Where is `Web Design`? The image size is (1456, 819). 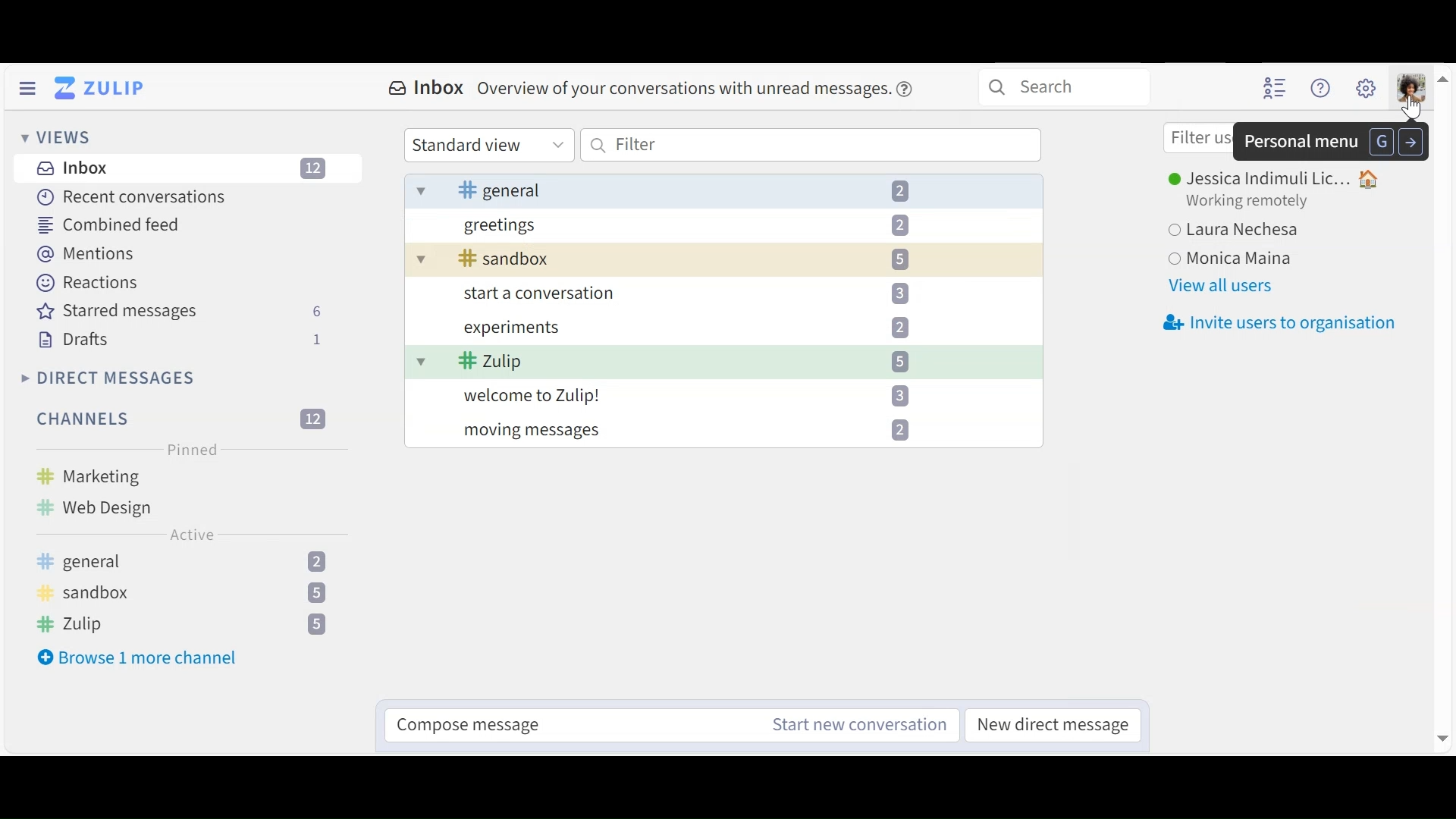 Web Design is located at coordinates (95, 509).